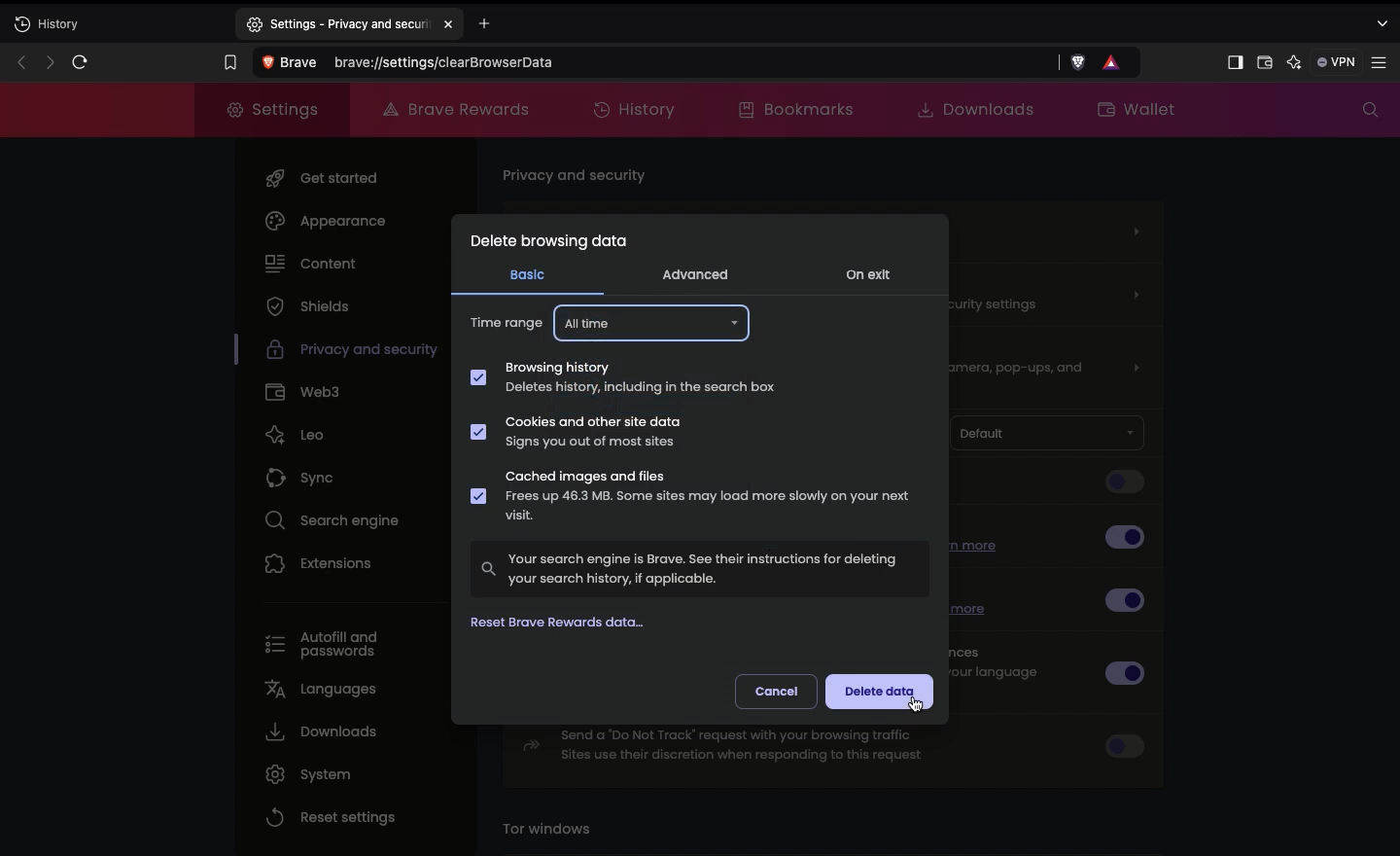  I want to click on Bookmarks, so click(801, 109).